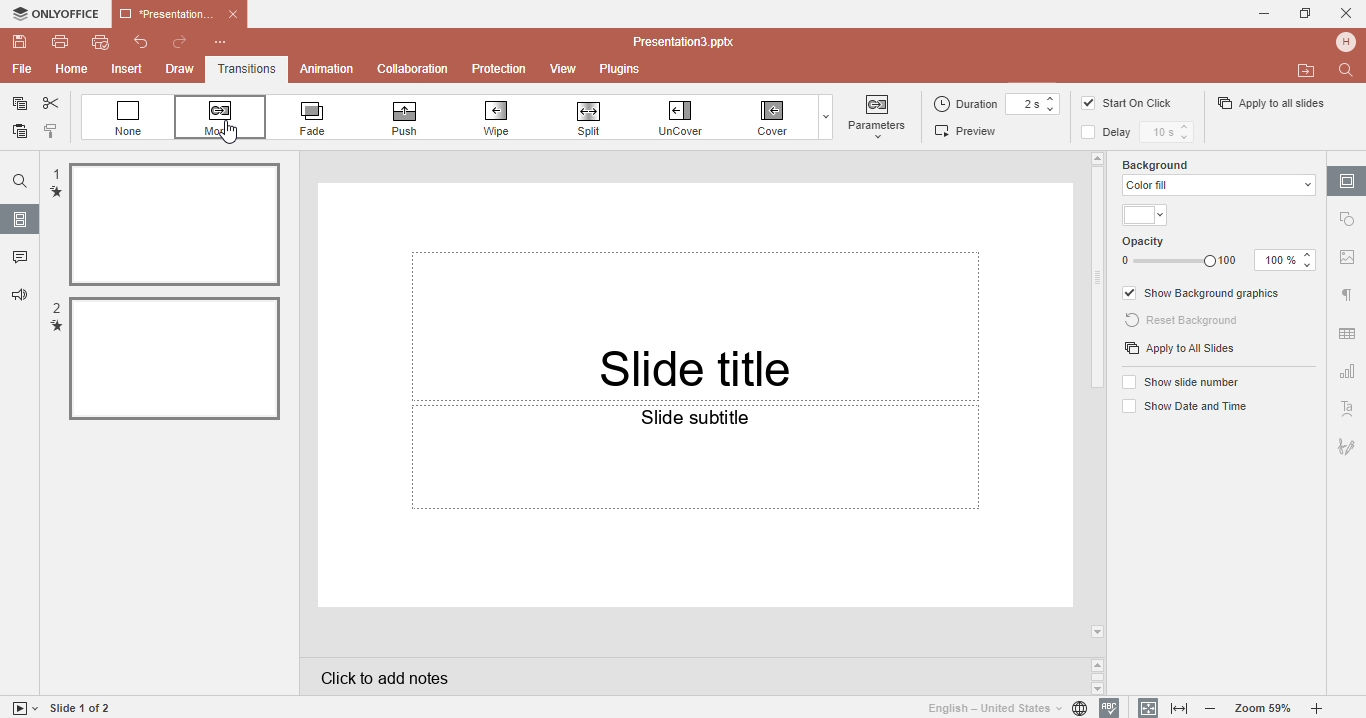 The image size is (1366, 718). What do you see at coordinates (1347, 408) in the screenshot?
I see `Text art setting` at bounding box center [1347, 408].